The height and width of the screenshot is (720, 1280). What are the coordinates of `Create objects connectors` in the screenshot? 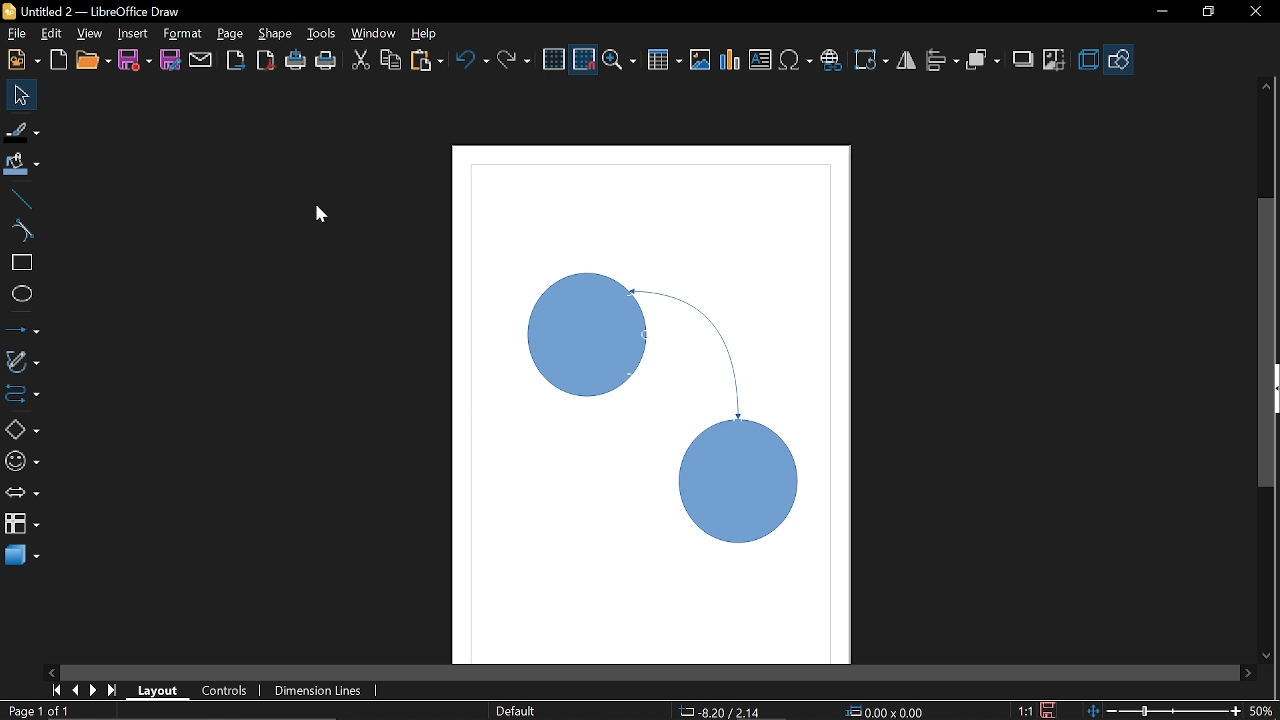 It's located at (192, 712).